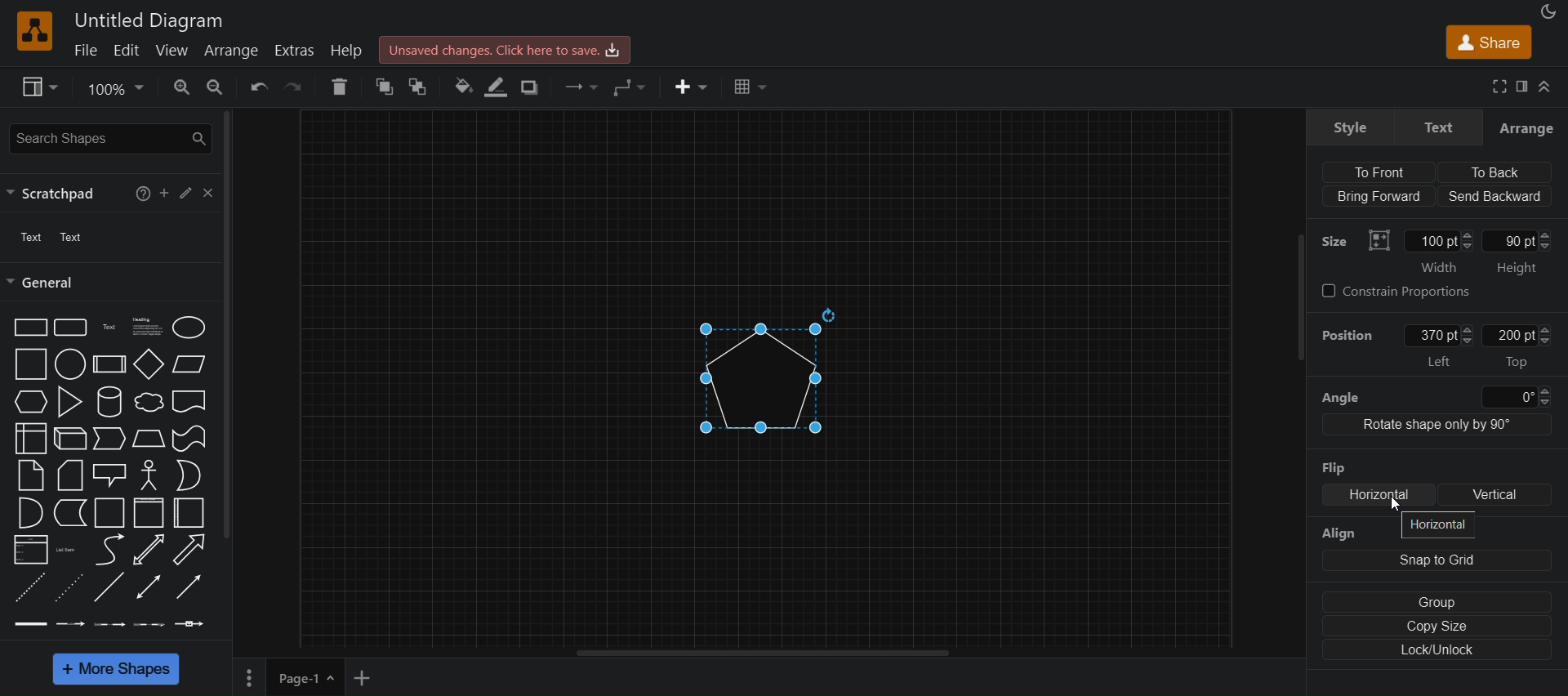 The height and width of the screenshot is (696, 1568). Describe the element at coordinates (40, 87) in the screenshot. I see `view` at that location.